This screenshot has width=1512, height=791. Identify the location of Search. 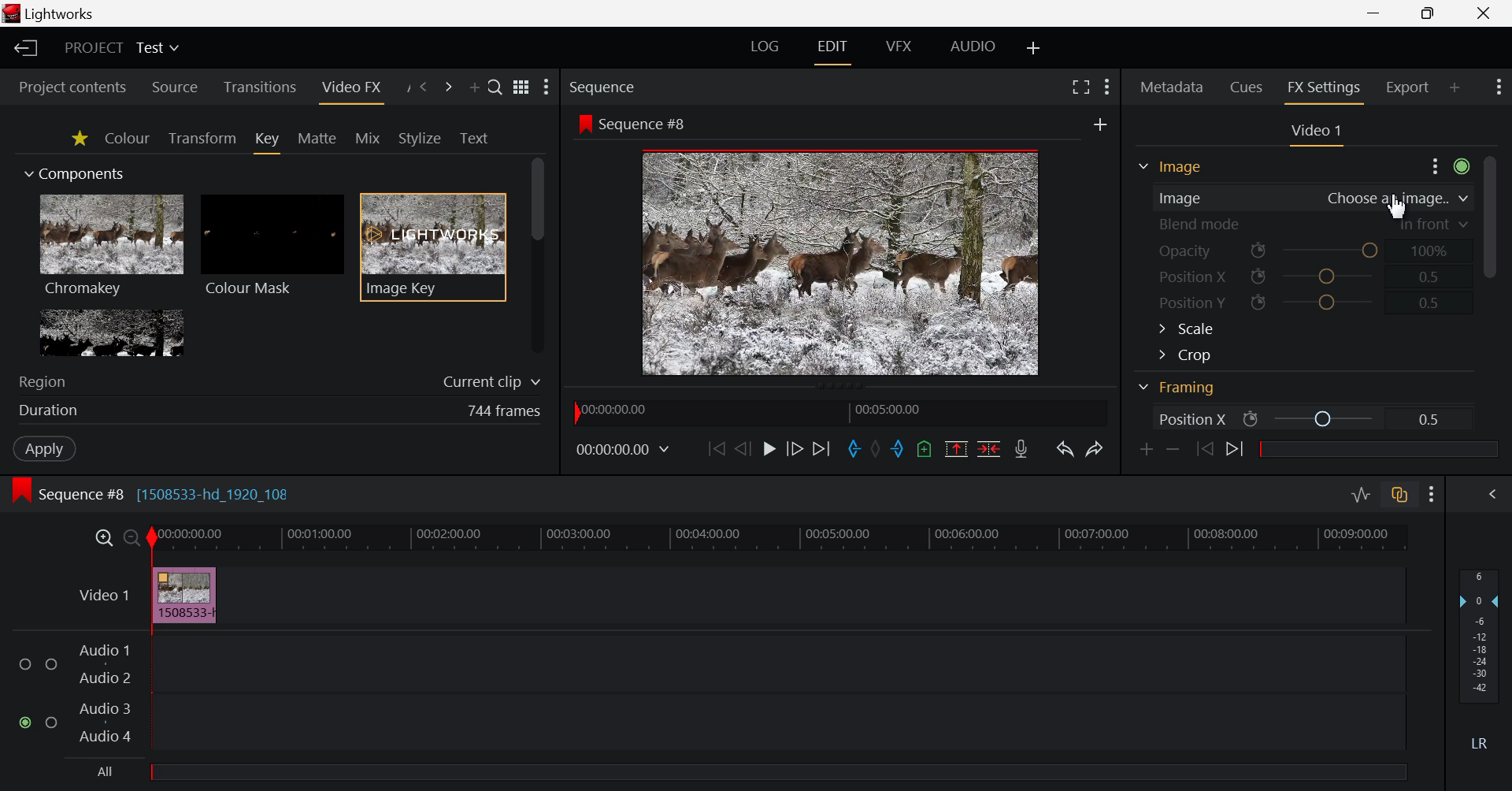
(495, 87).